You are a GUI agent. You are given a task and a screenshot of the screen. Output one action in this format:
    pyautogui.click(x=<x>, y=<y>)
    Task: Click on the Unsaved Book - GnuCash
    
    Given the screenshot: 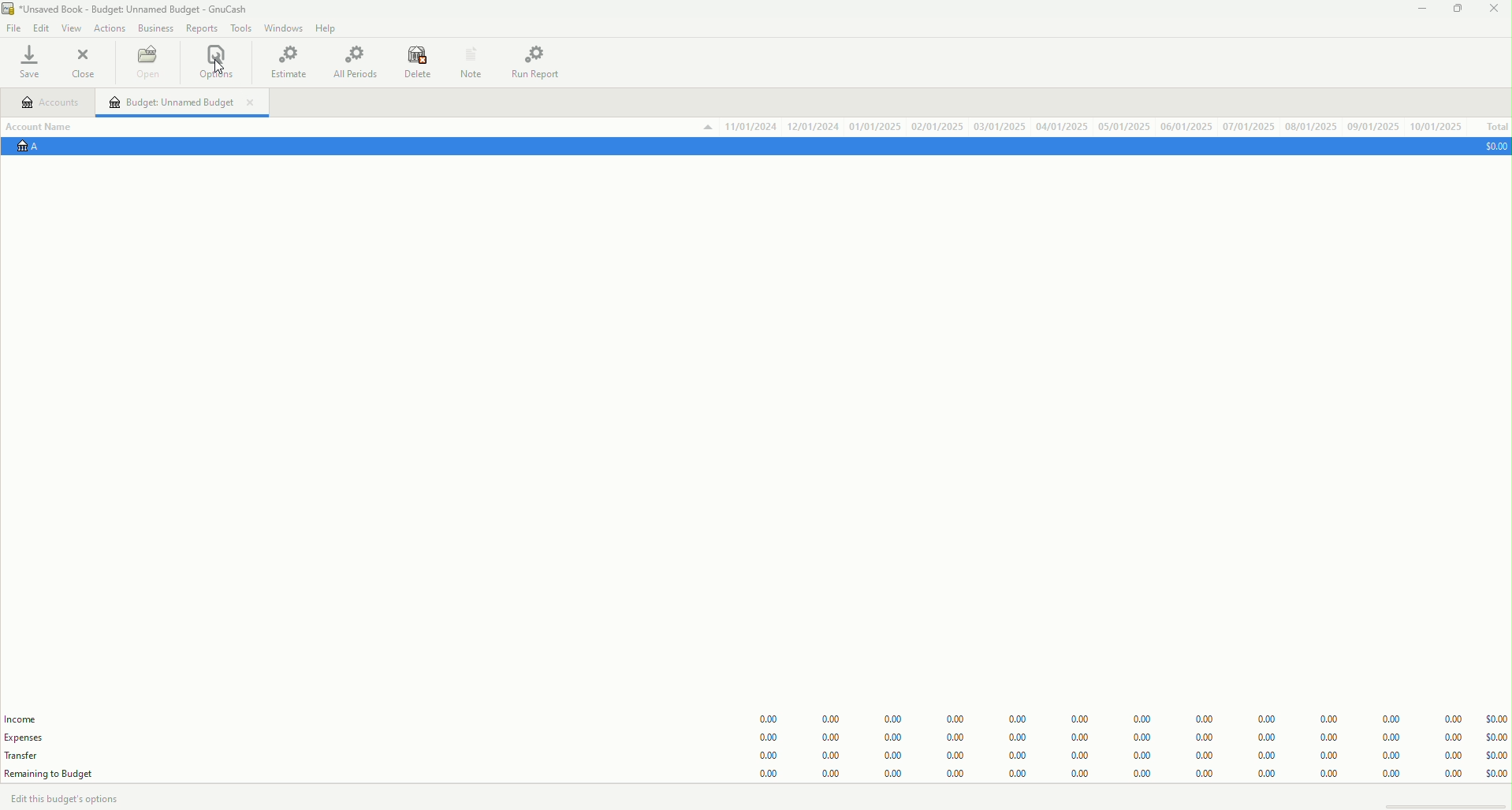 What is the action you would take?
    pyautogui.click(x=128, y=10)
    